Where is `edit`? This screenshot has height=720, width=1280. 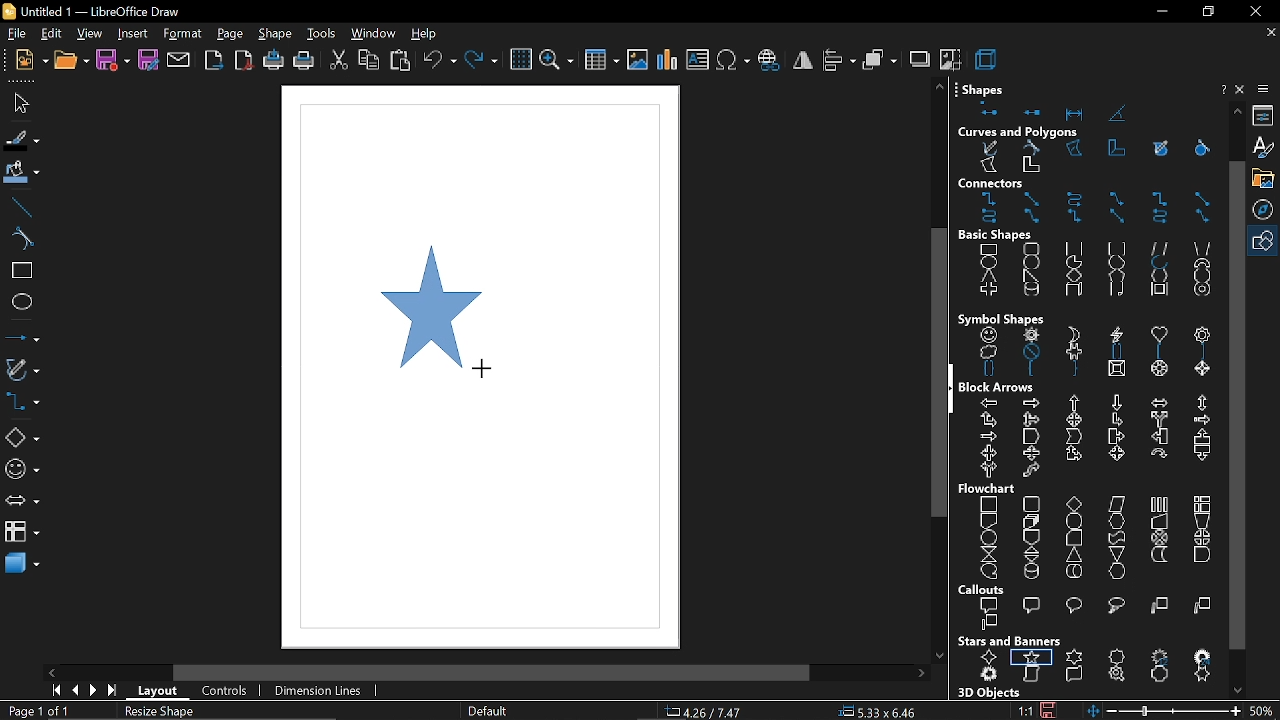 edit is located at coordinates (50, 34).